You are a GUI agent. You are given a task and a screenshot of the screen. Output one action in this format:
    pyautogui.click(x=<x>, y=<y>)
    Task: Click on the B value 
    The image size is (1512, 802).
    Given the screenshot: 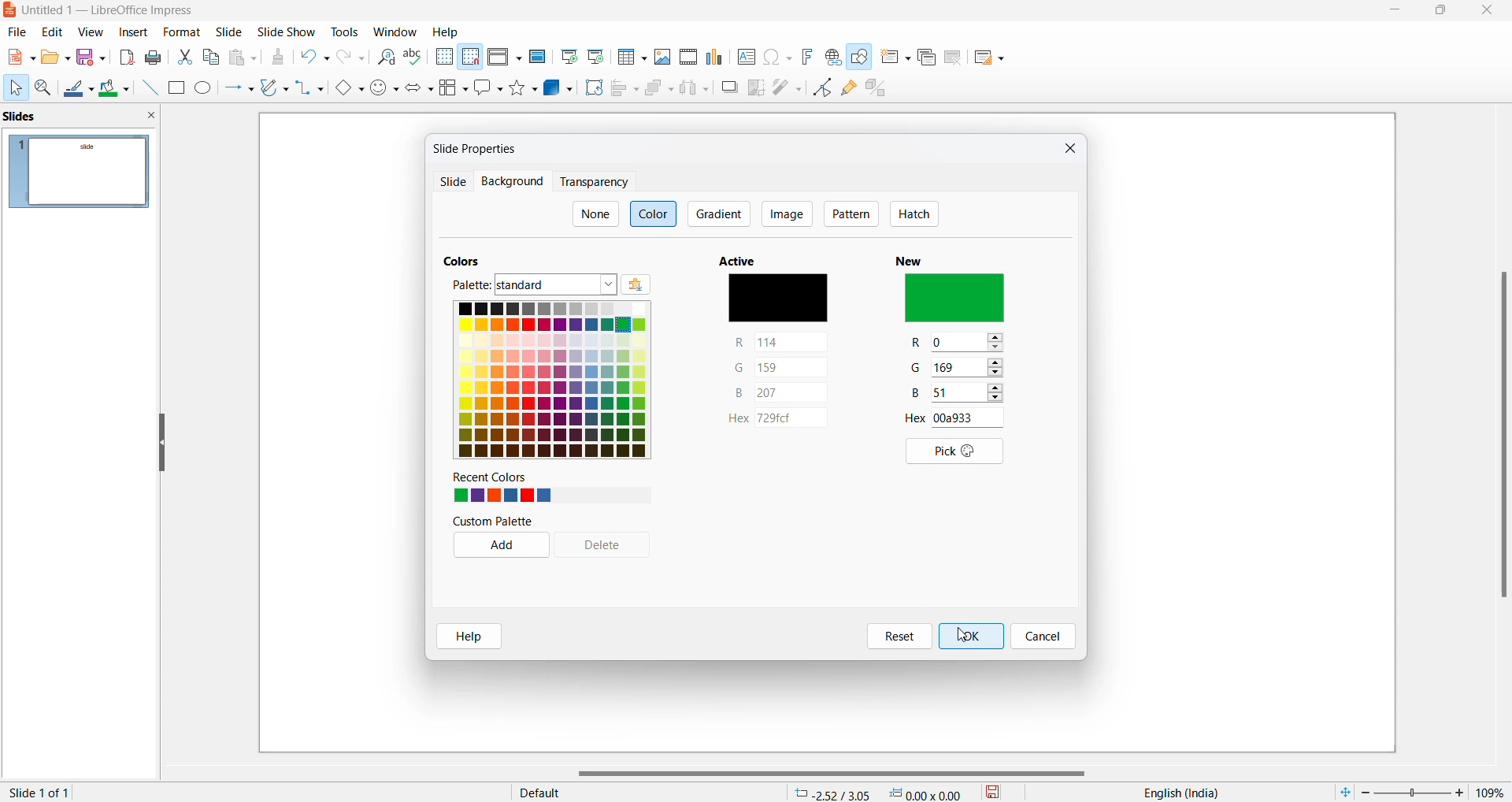 What is the action you would take?
    pyautogui.click(x=957, y=394)
    